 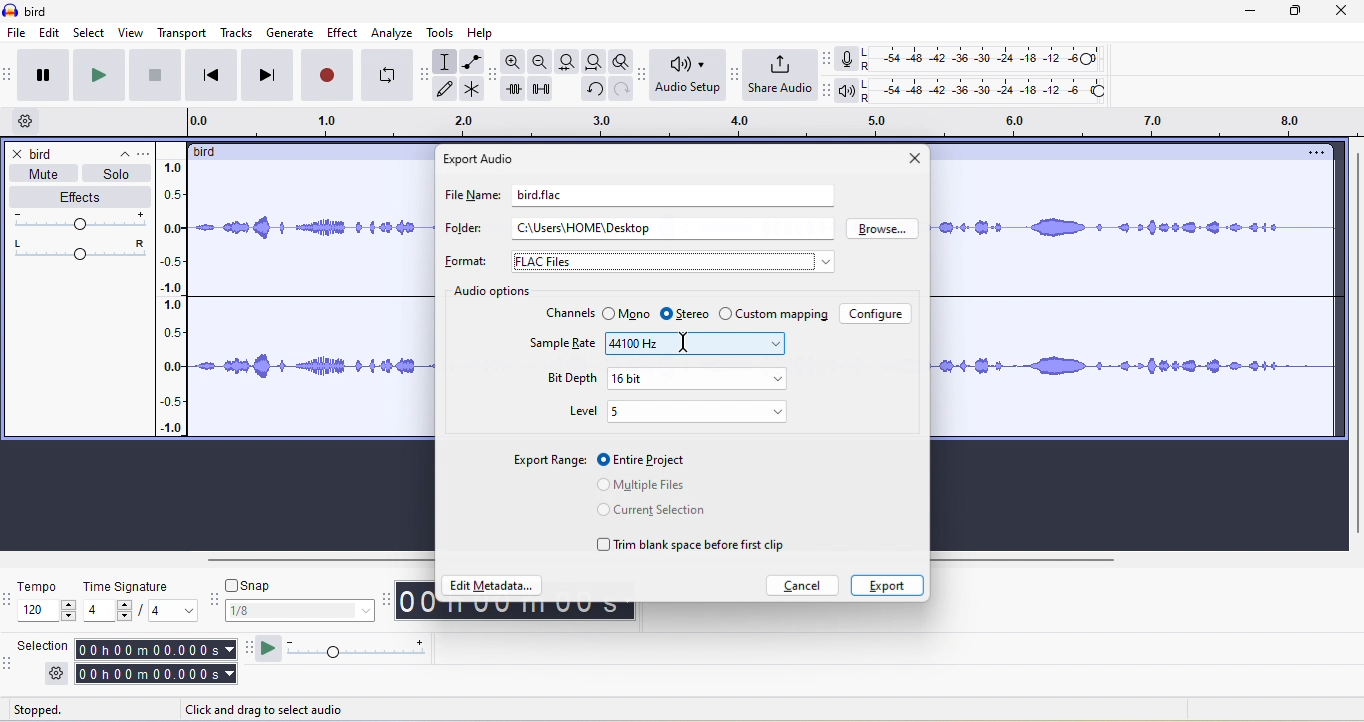 What do you see at coordinates (28, 11) in the screenshot?
I see `title` at bounding box center [28, 11].